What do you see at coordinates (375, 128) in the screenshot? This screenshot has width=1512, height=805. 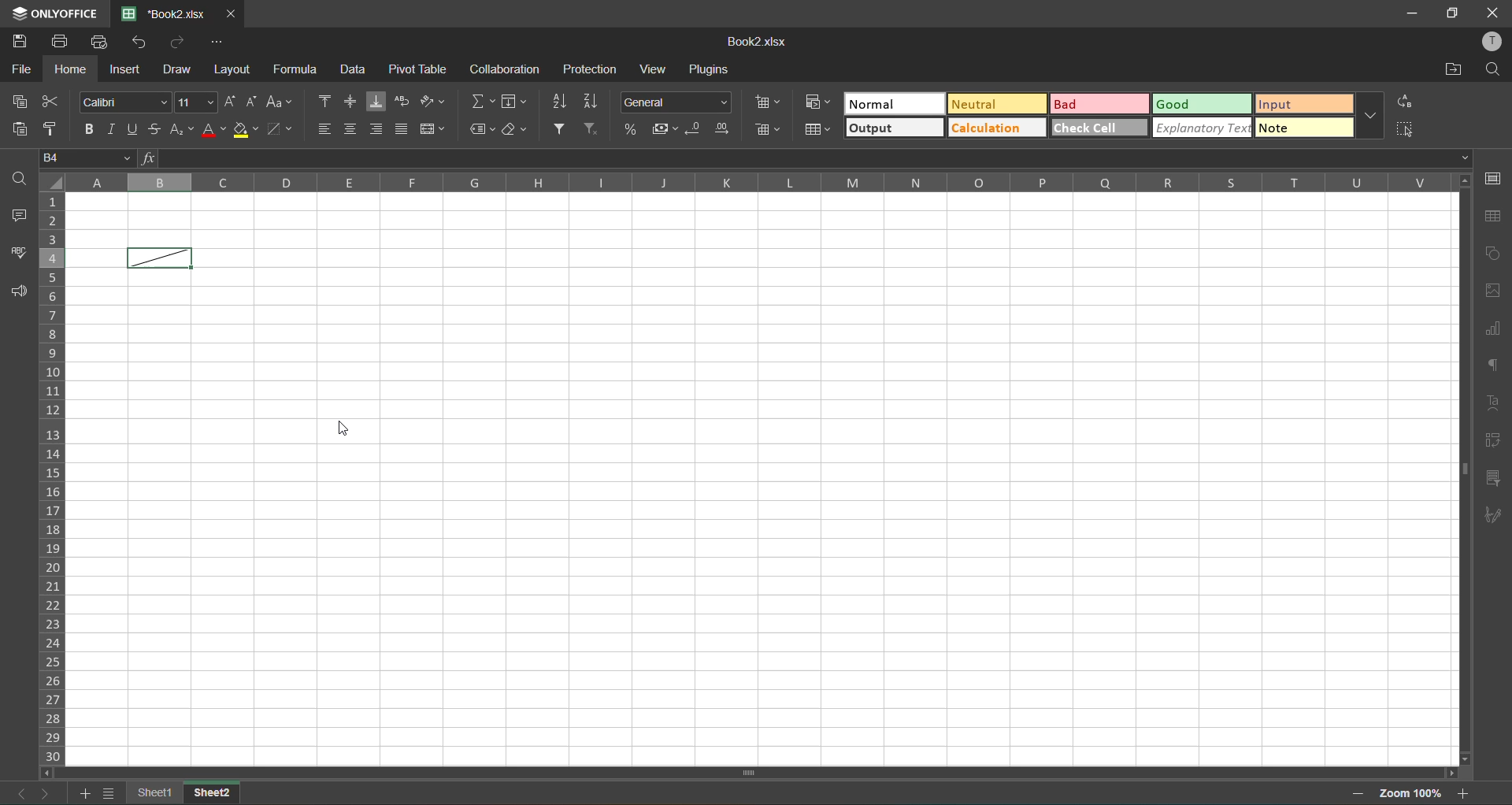 I see `align right` at bounding box center [375, 128].